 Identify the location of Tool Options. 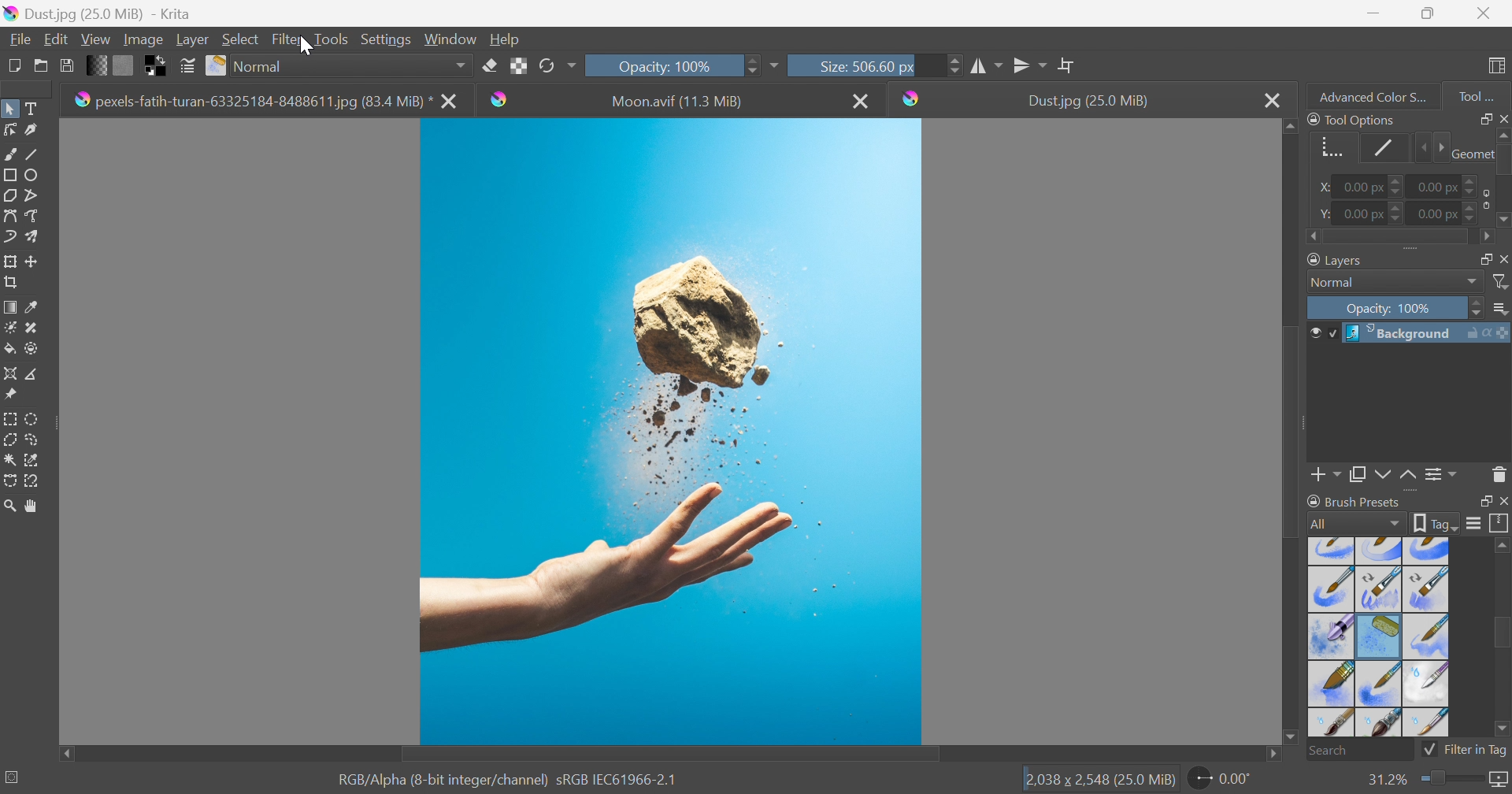
(1351, 119).